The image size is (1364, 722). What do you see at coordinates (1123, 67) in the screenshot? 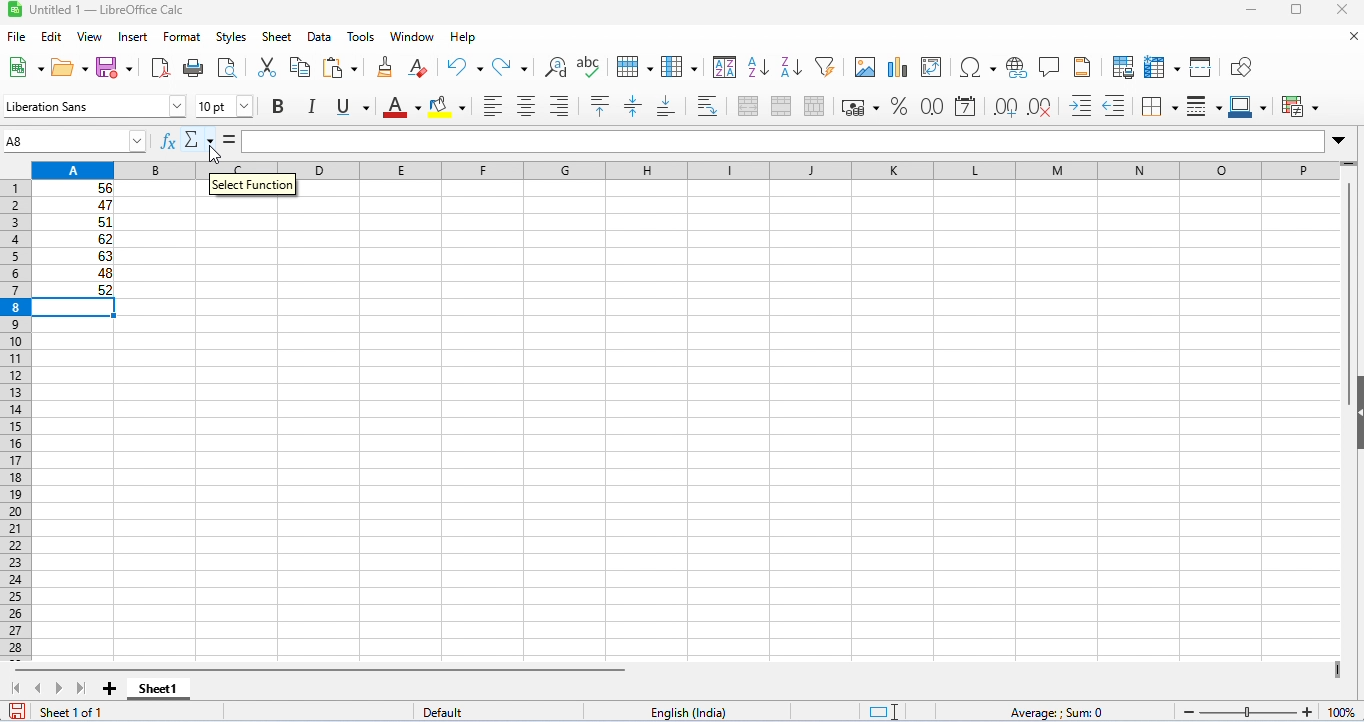
I see `define print area` at bounding box center [1123, 67].